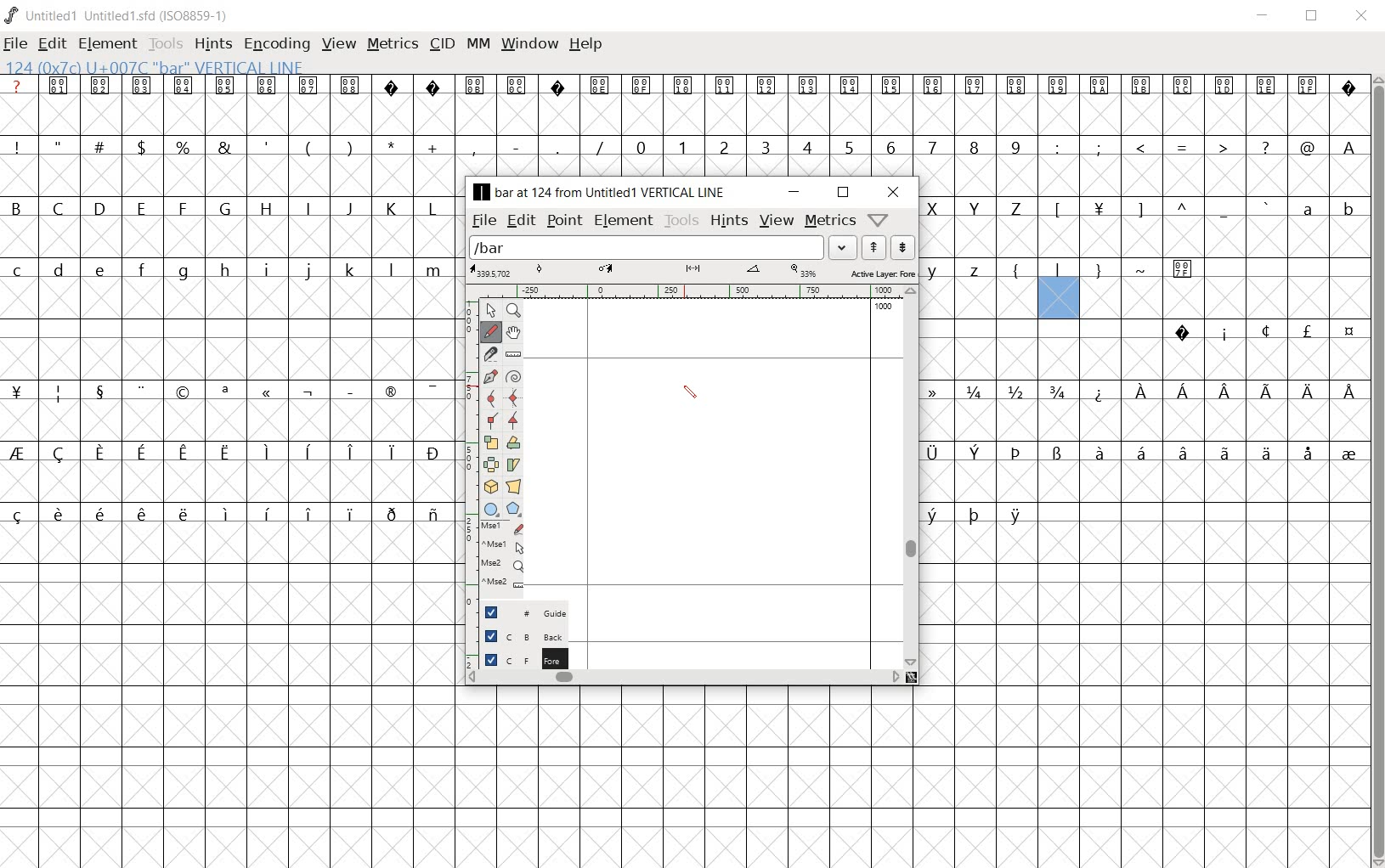 The width and height of the screenshot is (1385, 868). What do you see at coordinates (1144, 206) in the screenshot?
I see `letters and symbols` at bounding box center [1144, 206].